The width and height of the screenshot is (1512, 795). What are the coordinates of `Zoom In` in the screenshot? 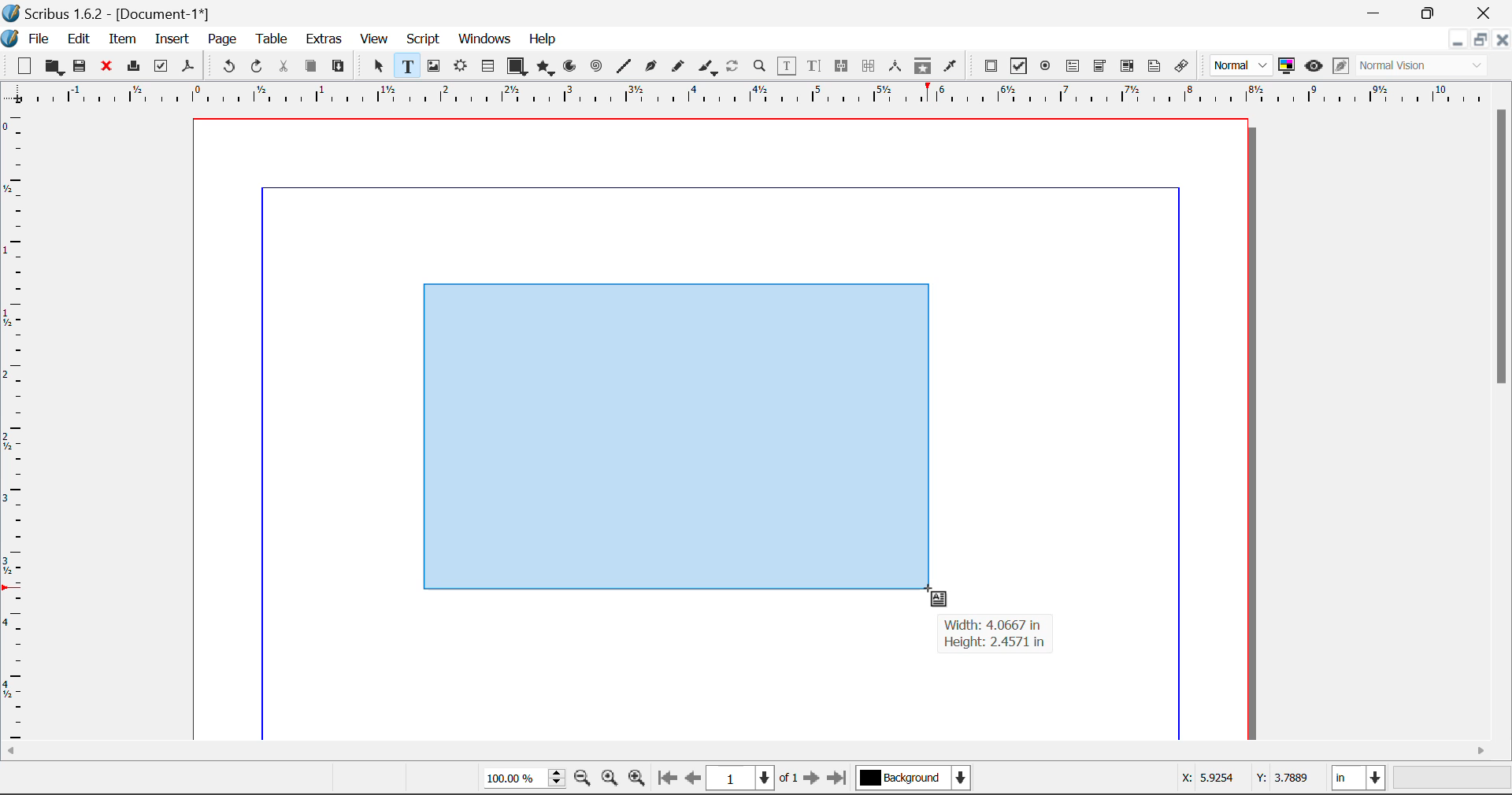 It's located at (637, 780).